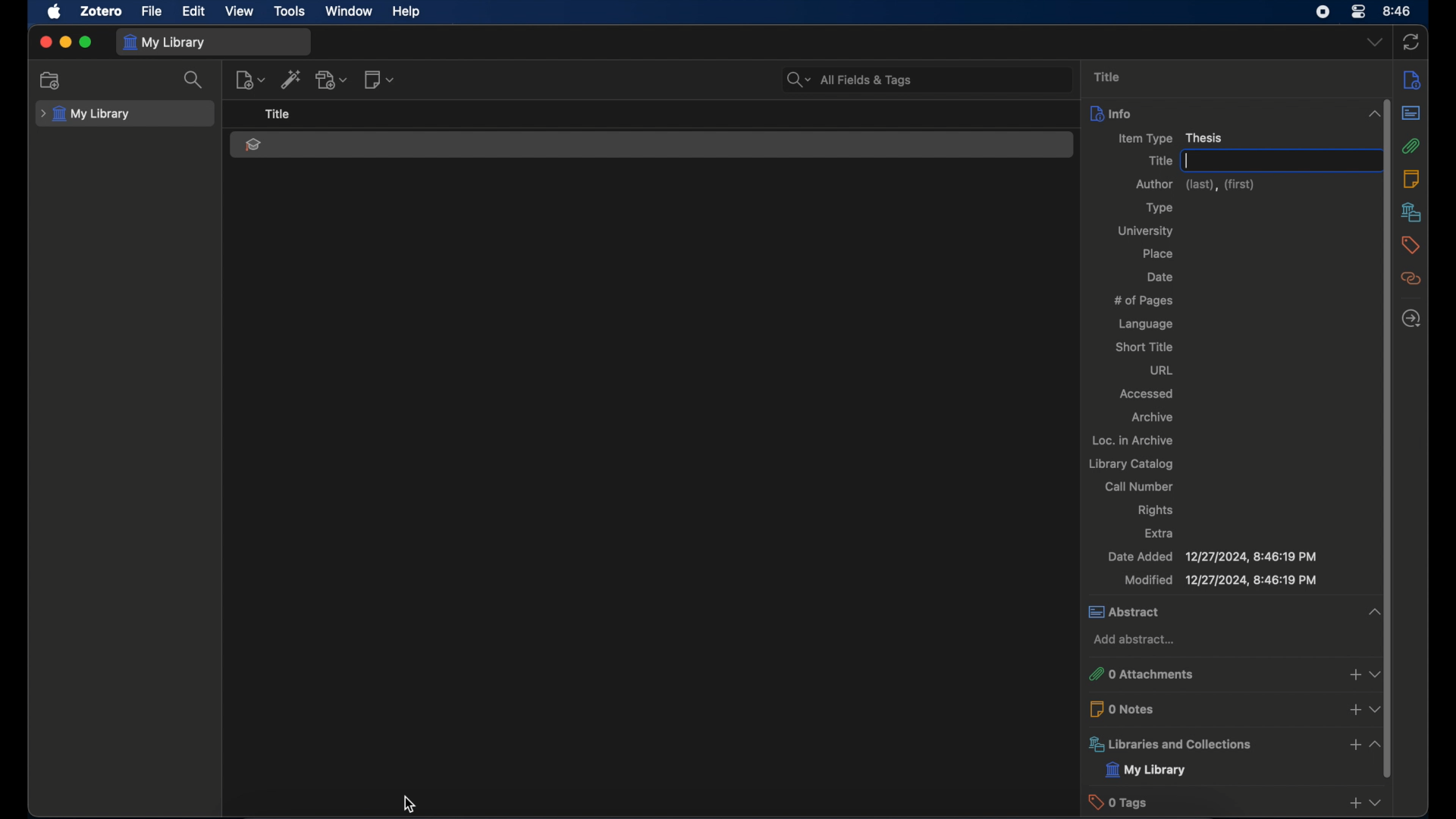 The width and height of the screenshot is (1456, 819). Describe the element at coordinates (1143, 347) in the screenshot. I see `short title` at that location.